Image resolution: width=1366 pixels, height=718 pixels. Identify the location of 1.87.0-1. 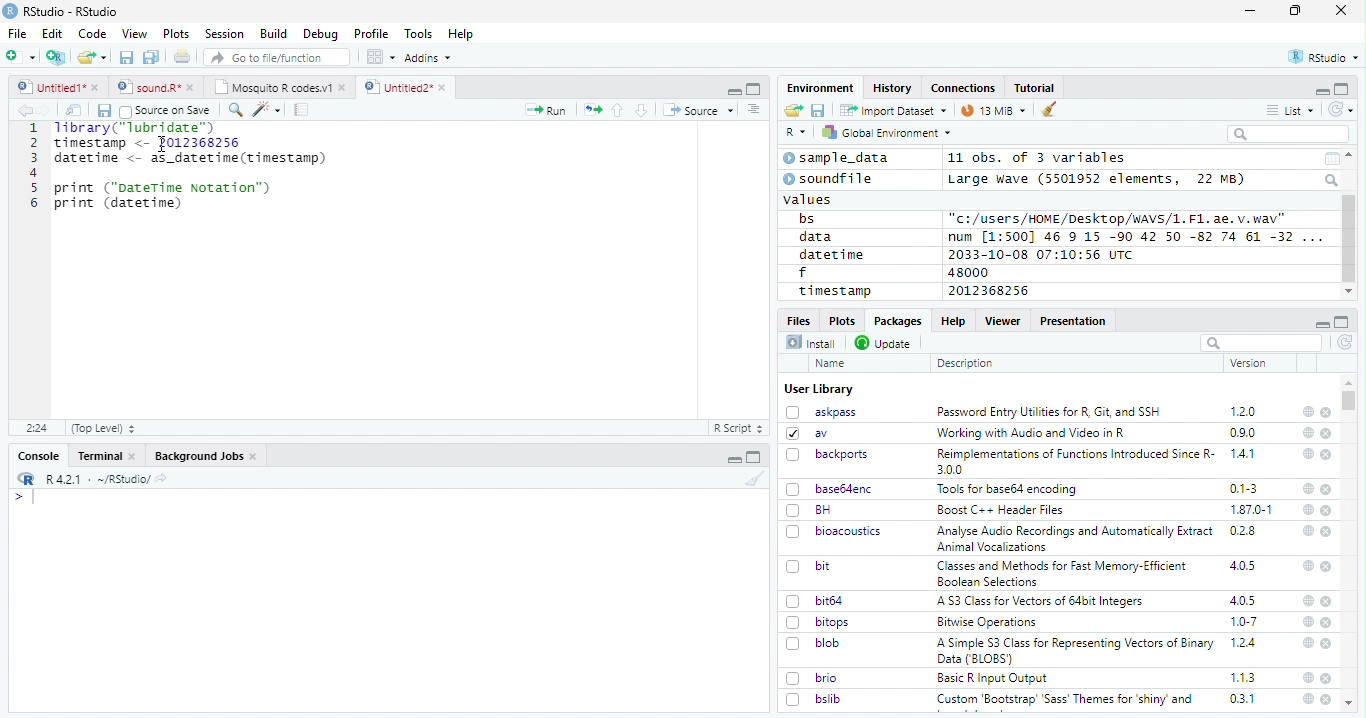
(1251, 510).